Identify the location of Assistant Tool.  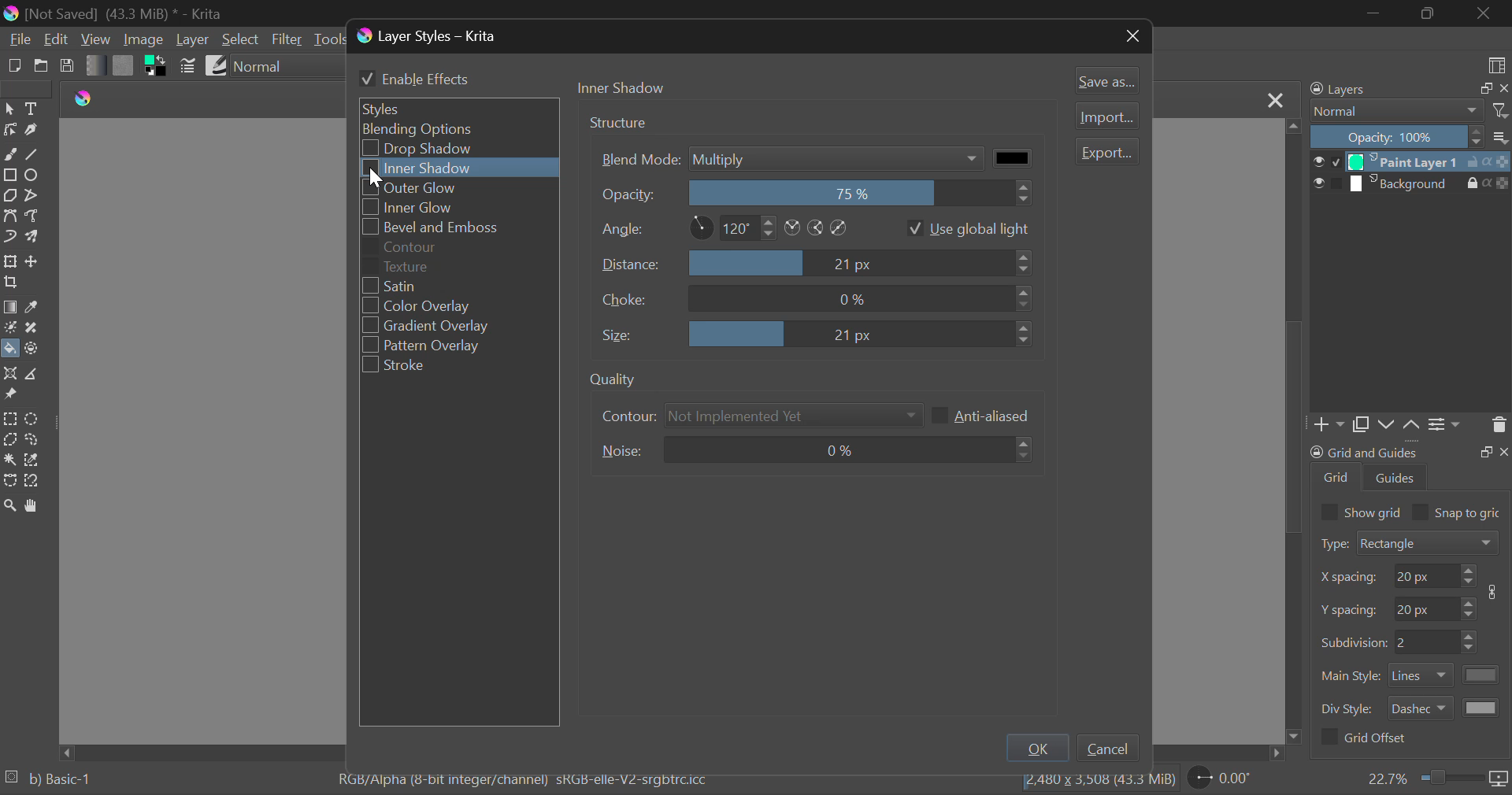
(10, 374).